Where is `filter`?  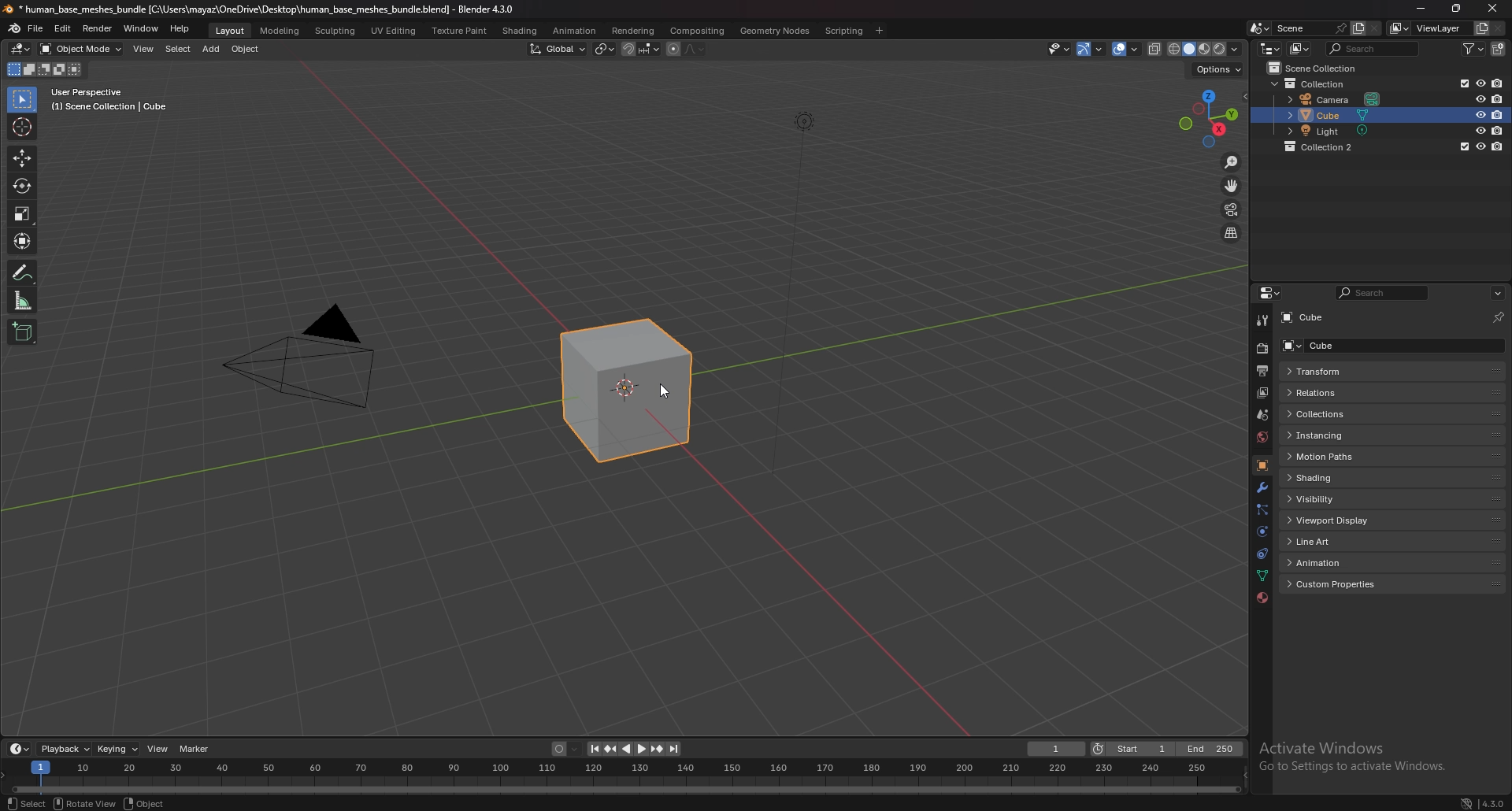 filter is located at coordinates (1474, 49).